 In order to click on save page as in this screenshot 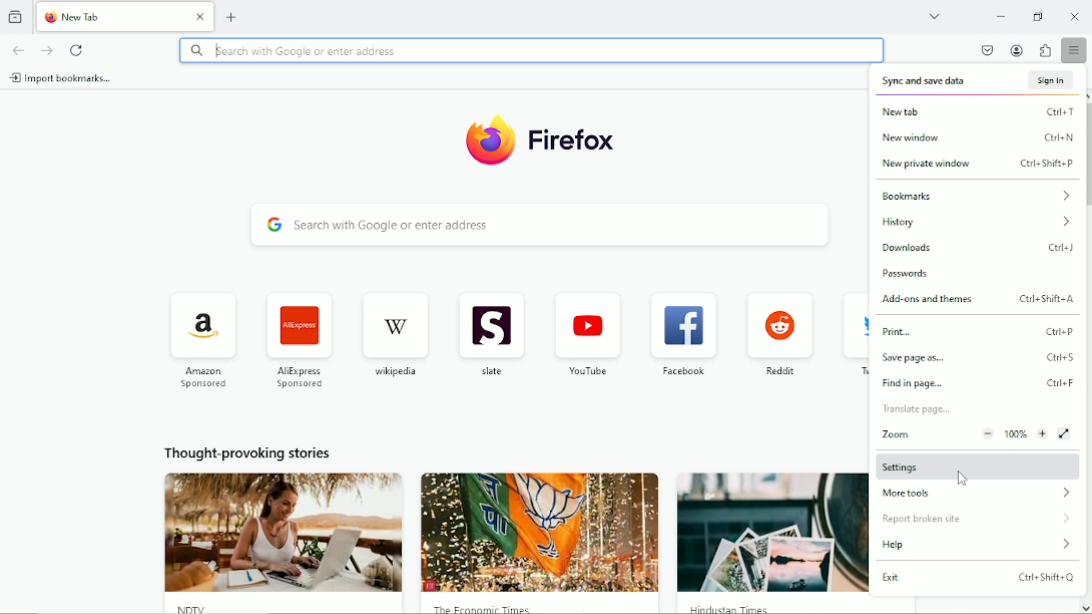, I will do `click(981, 359)`.